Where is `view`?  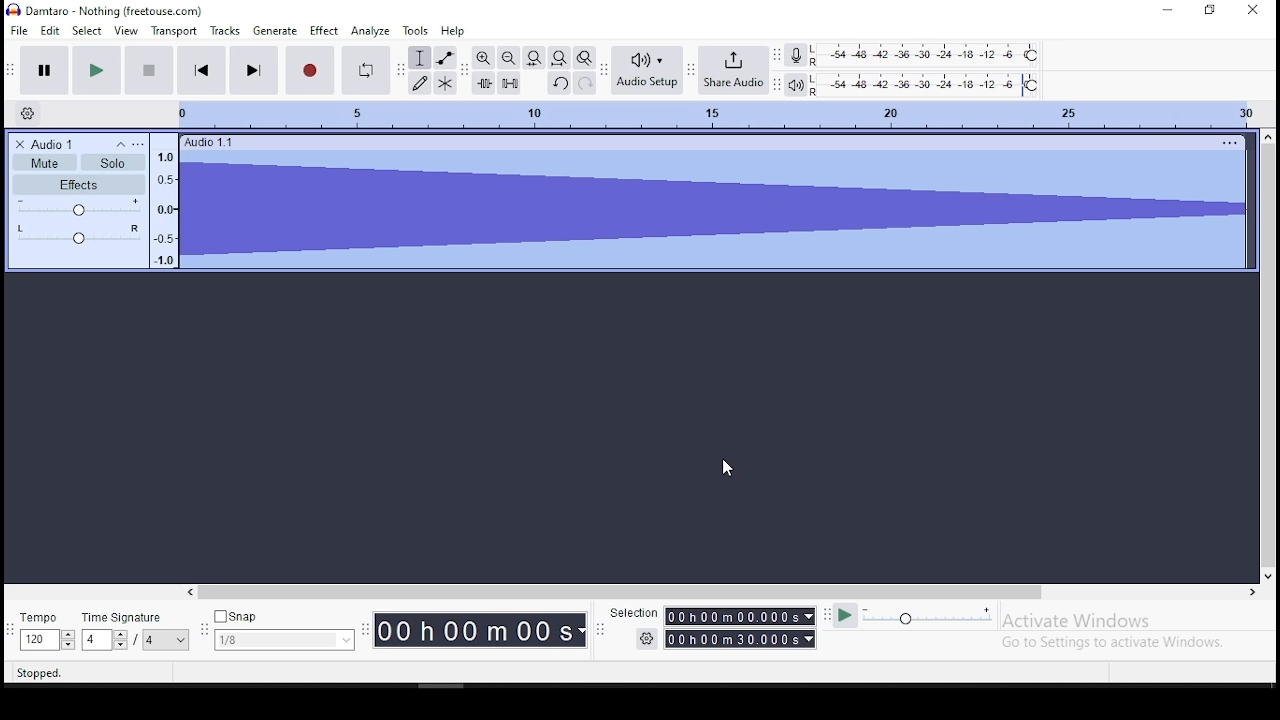
view is located at coordinates (127, 31).